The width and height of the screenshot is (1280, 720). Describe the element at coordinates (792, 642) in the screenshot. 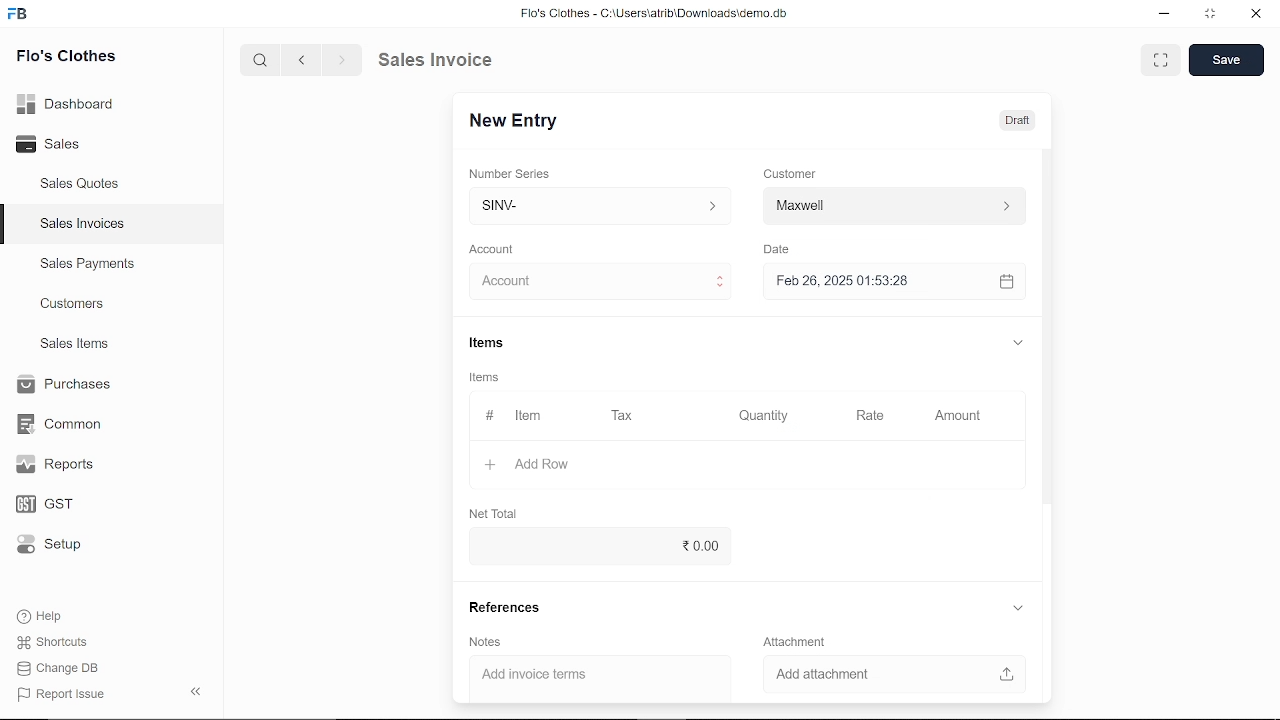

I see `‘Attachment` at that location.